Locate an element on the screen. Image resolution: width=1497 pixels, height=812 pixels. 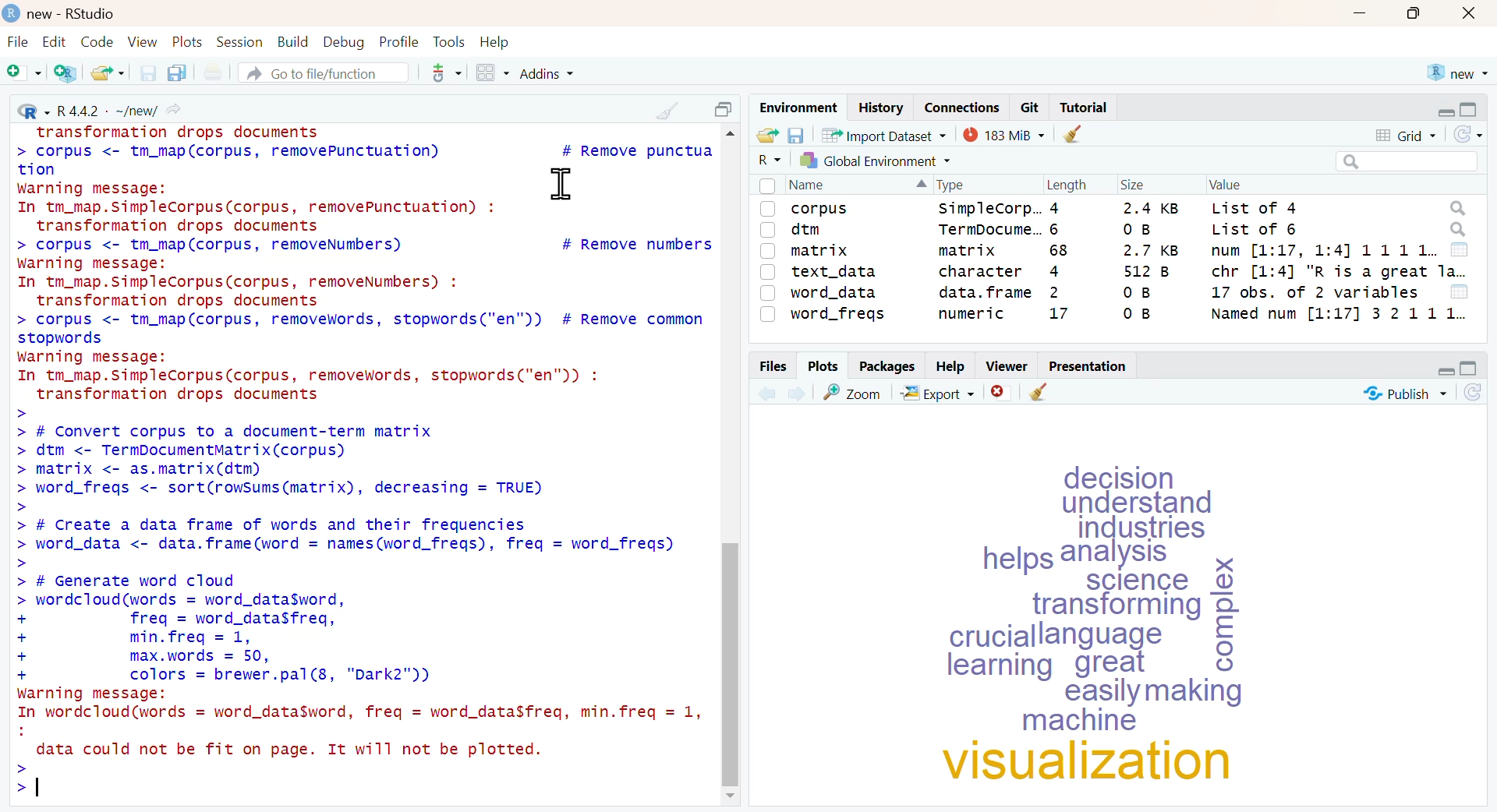
2.7 KB is located at coordinates (1149, 250).